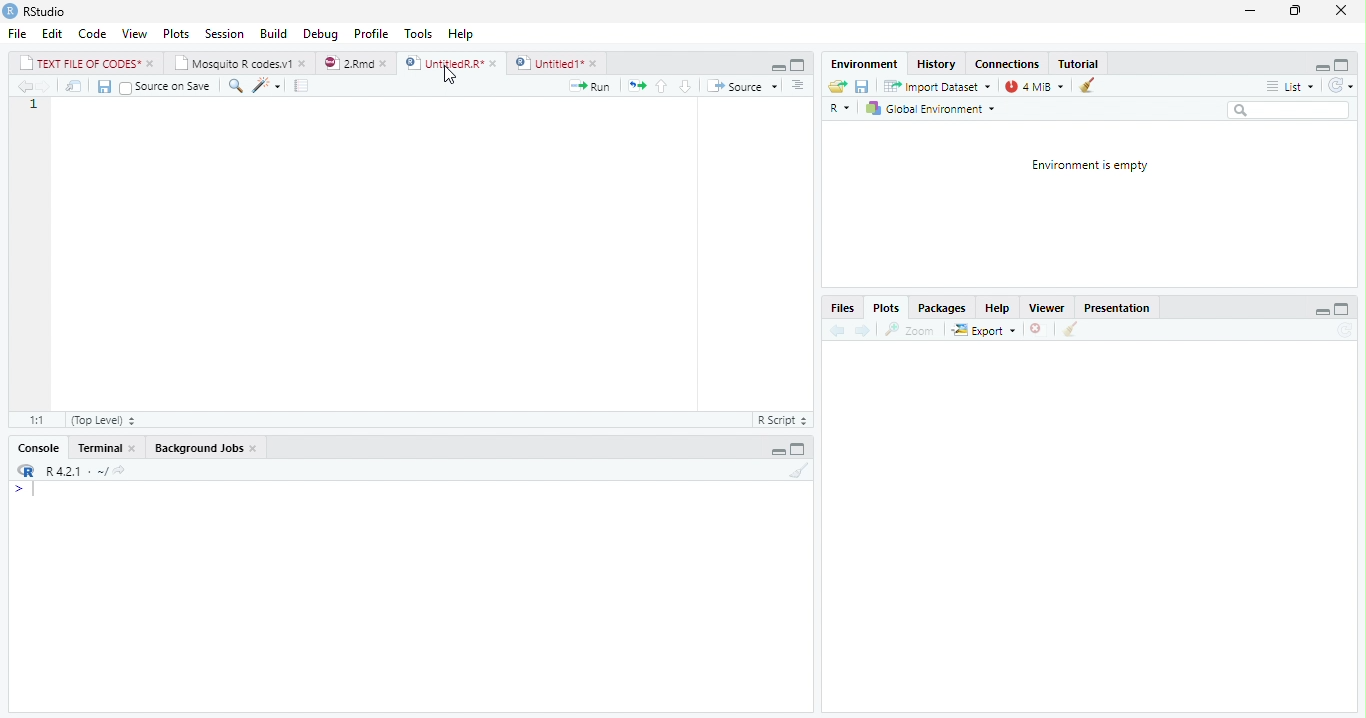  What do you see at coordinates (86, 471) in the screenshot?
I see `R421 - ~/` at bounding box center [86, 471].